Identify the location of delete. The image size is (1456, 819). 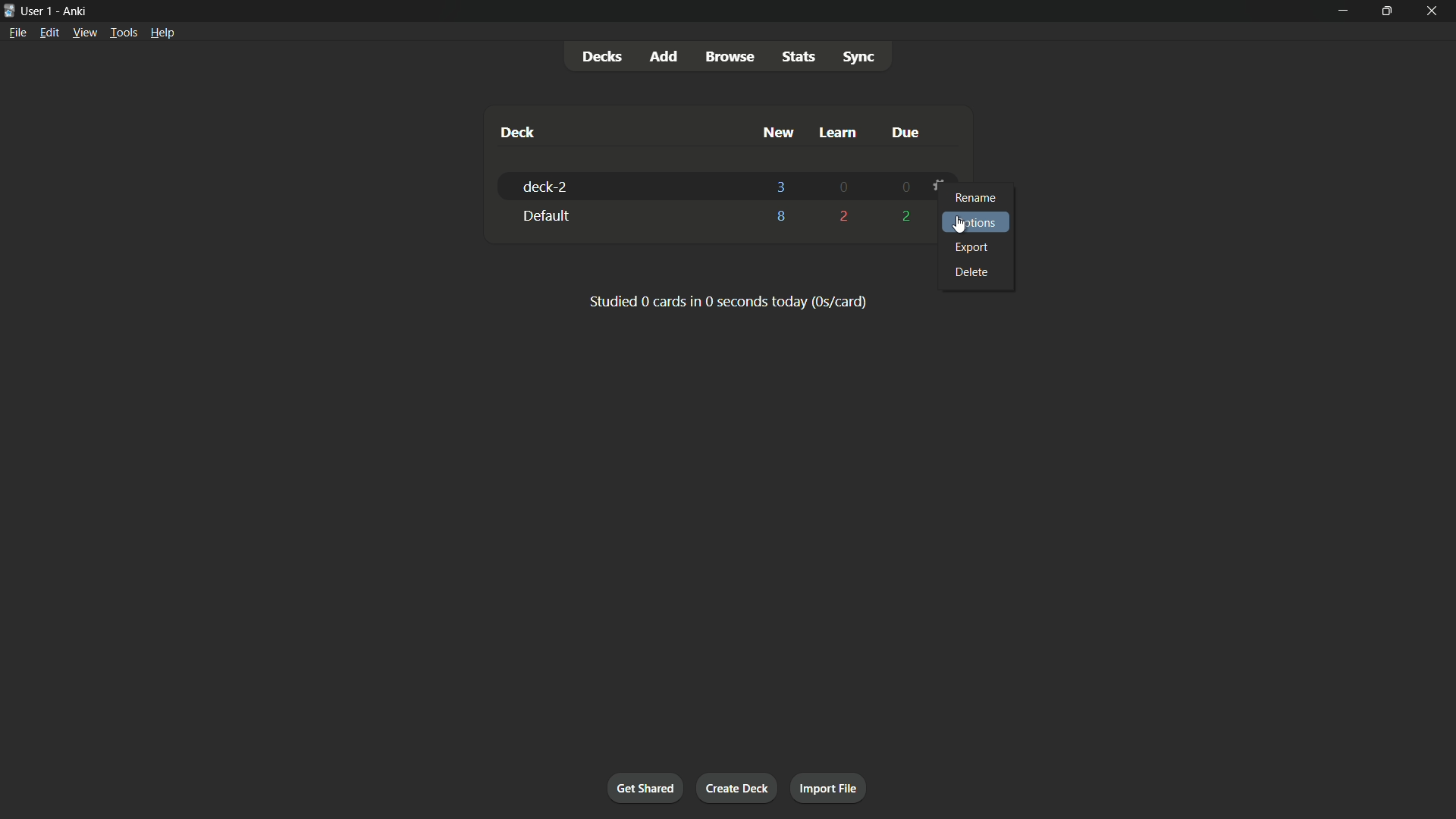
(975, 272).